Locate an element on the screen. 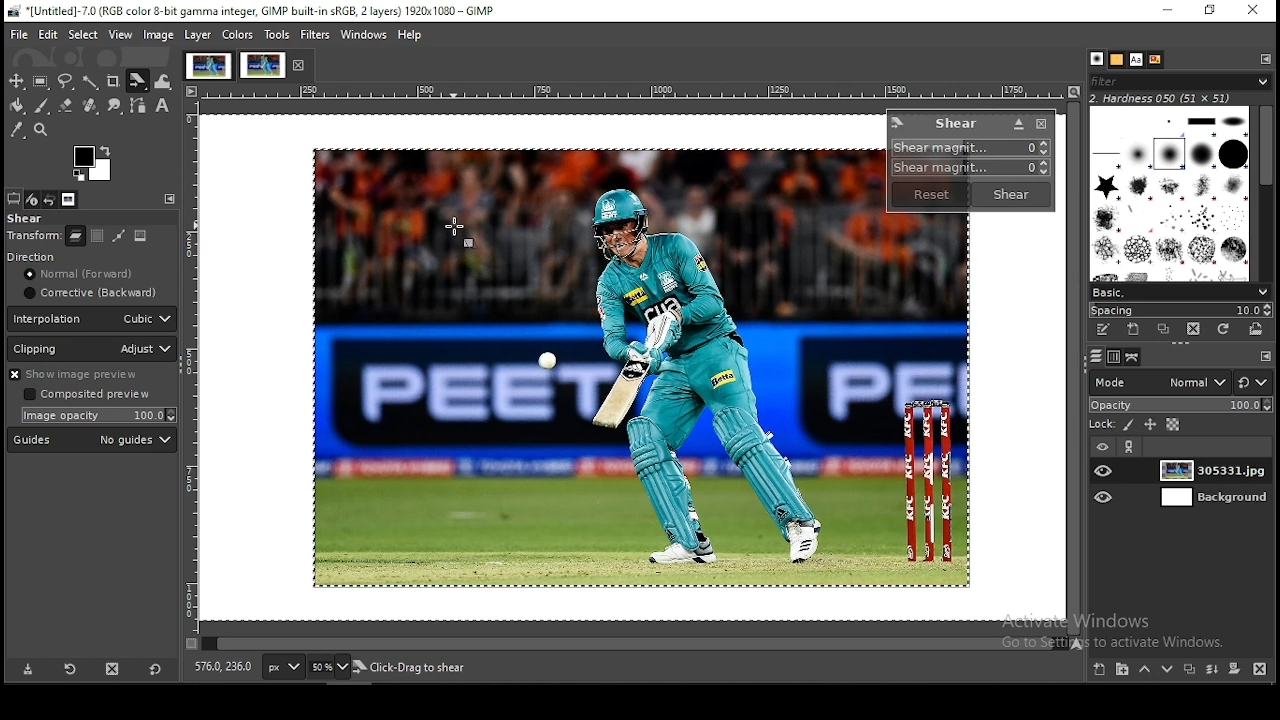 Image resolution: width=1280 pixels, height=720 pixels. delete this layer is located at coordinates (112, 668).